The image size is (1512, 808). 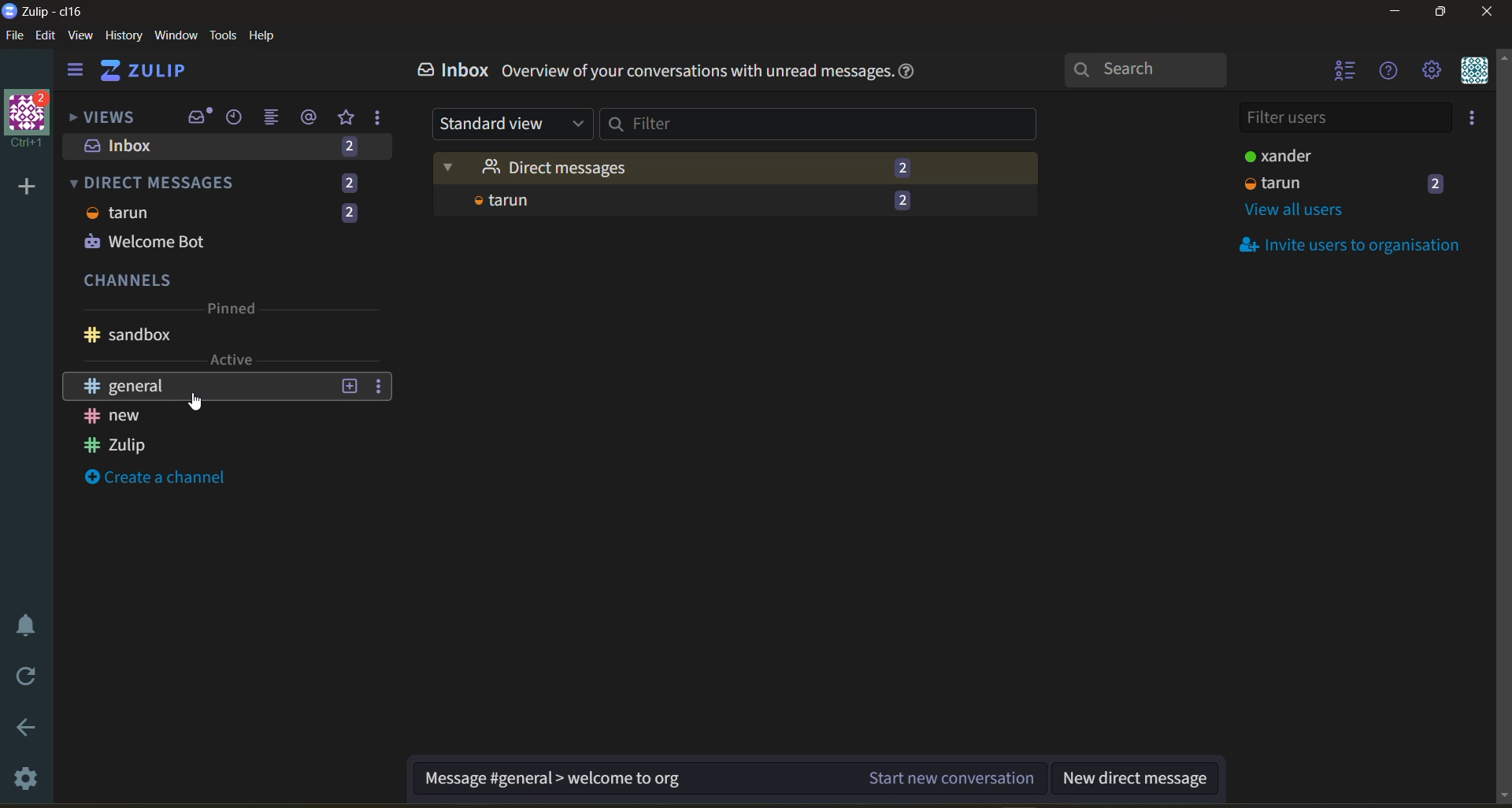 I want to click on minimize, so click(x=1395, y=14).